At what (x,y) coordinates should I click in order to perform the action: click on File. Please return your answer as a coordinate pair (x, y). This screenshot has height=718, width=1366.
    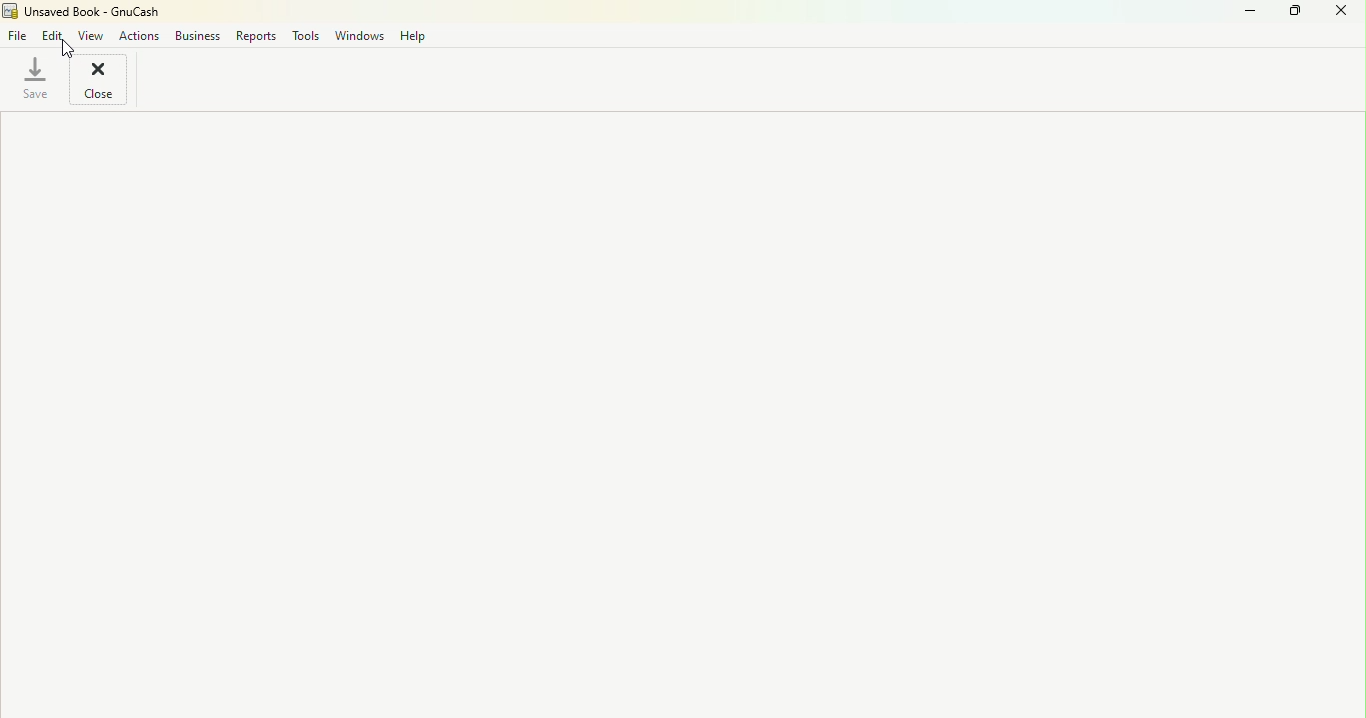
    Looking at the image, I should click on (18, 36).